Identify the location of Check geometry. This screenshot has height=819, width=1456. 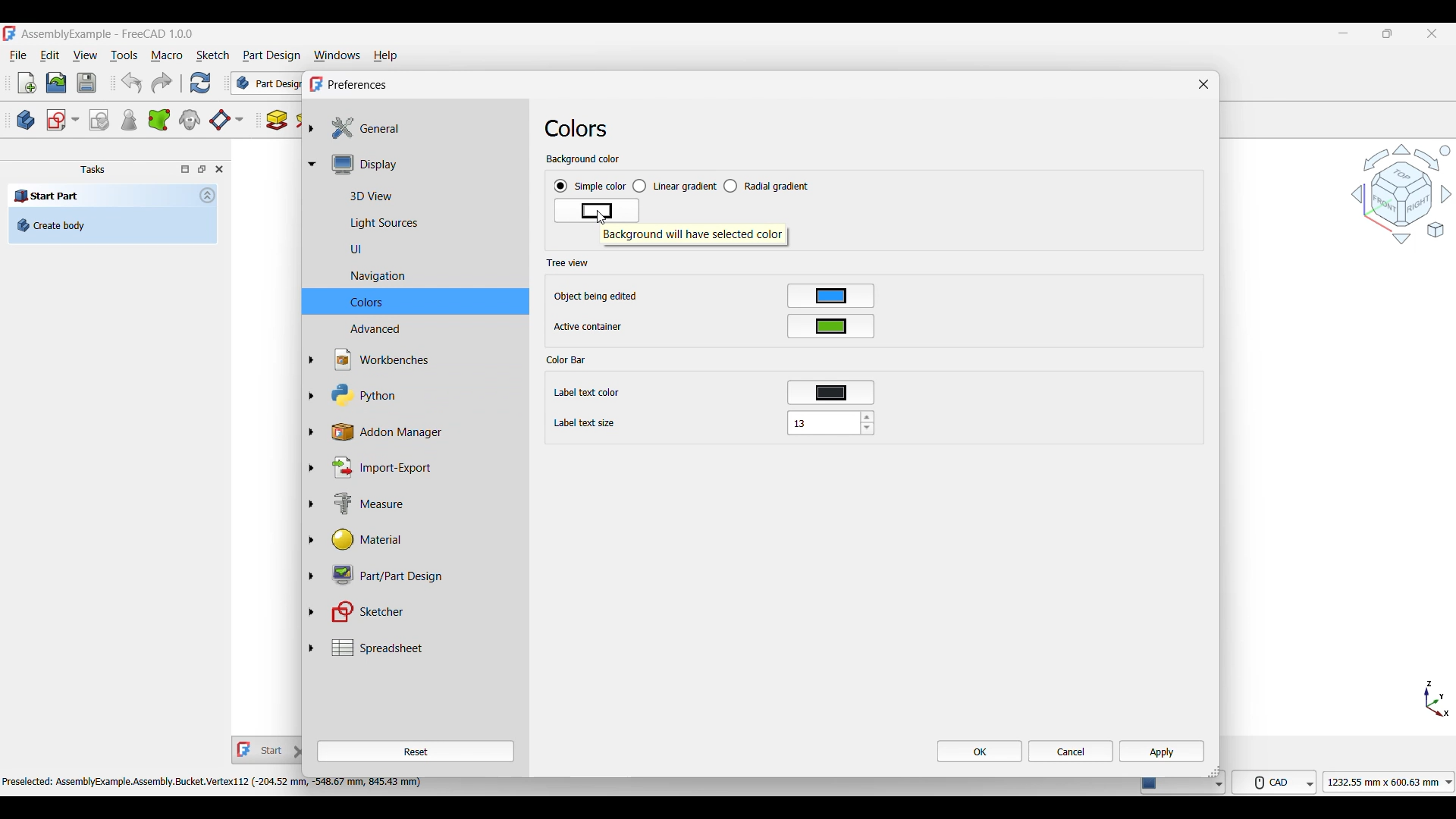
(128, 120).